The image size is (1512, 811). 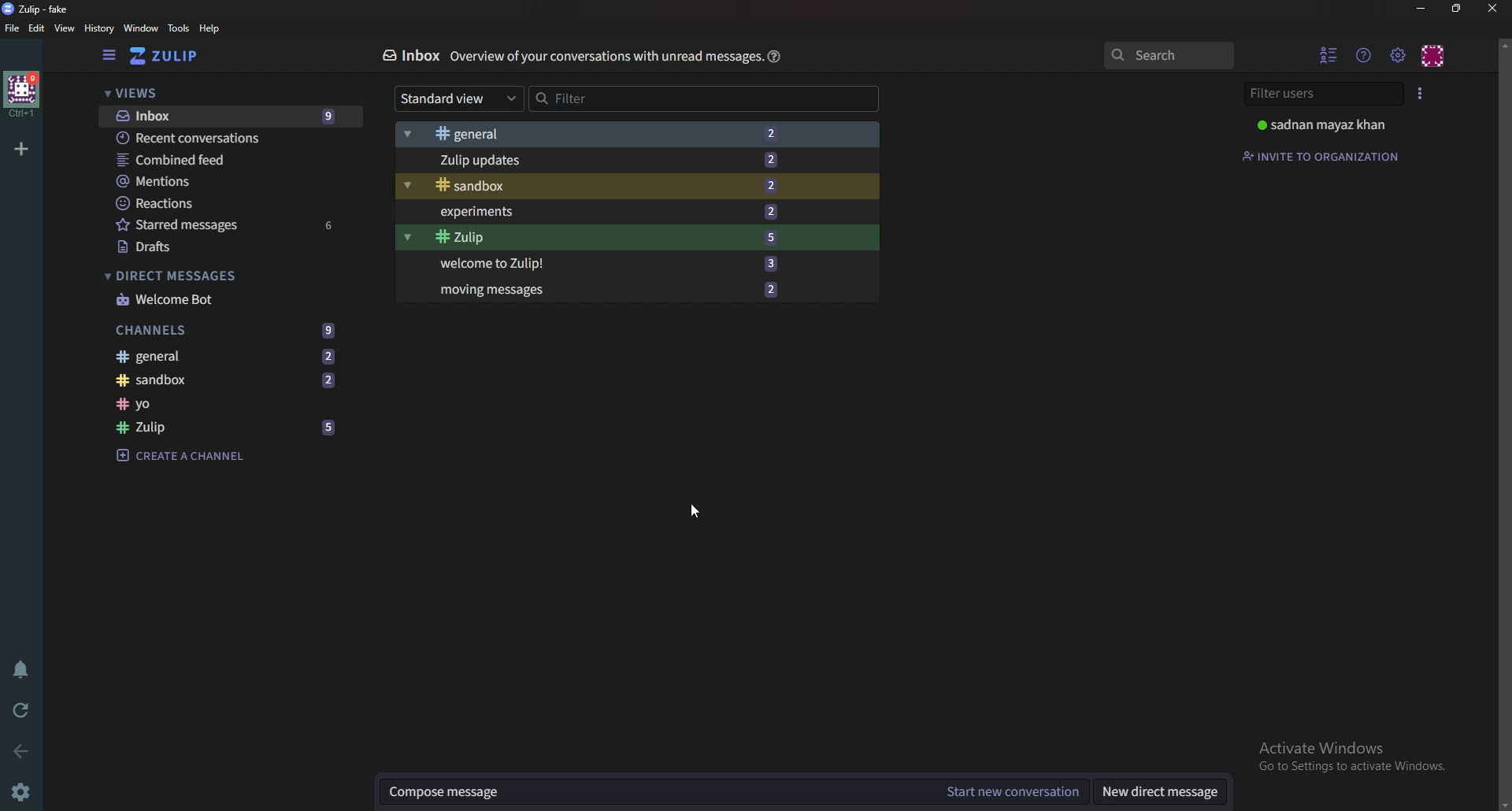 What do you see at coordinates (619, 288) in the screenshot?
I see `Moving messages` at bounding box center [619, 288].